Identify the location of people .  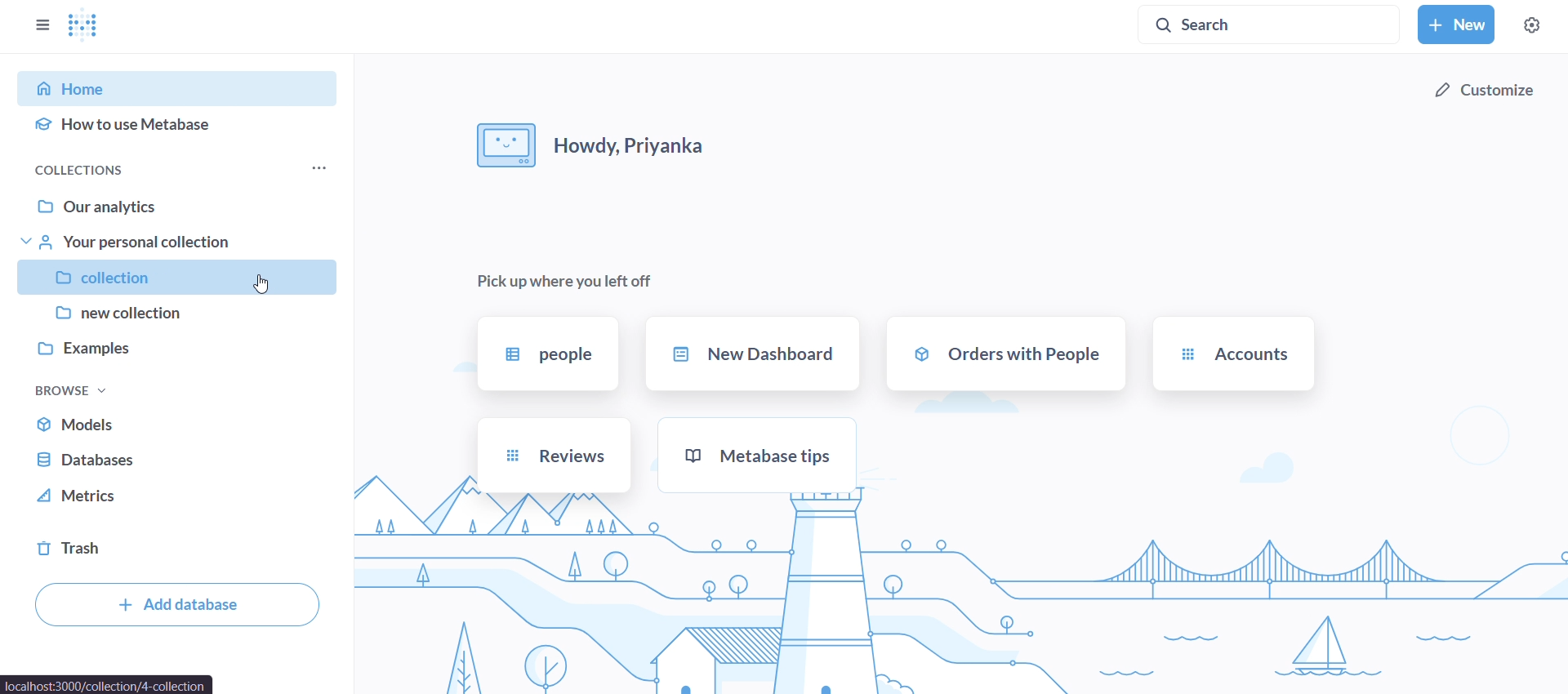
(546, 354).